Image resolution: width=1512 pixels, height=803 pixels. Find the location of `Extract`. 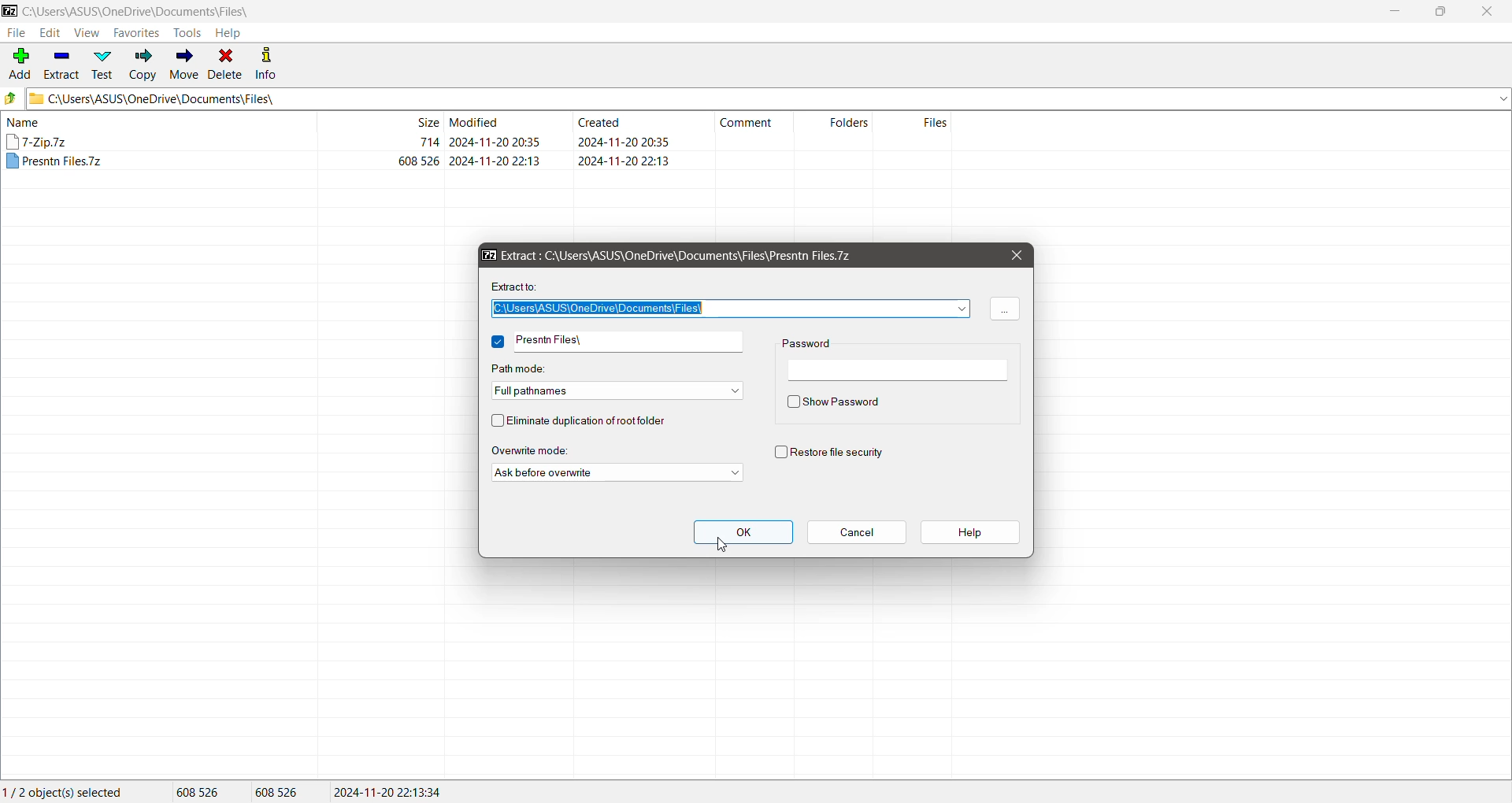

Extract is located at coordinates (63, 63).